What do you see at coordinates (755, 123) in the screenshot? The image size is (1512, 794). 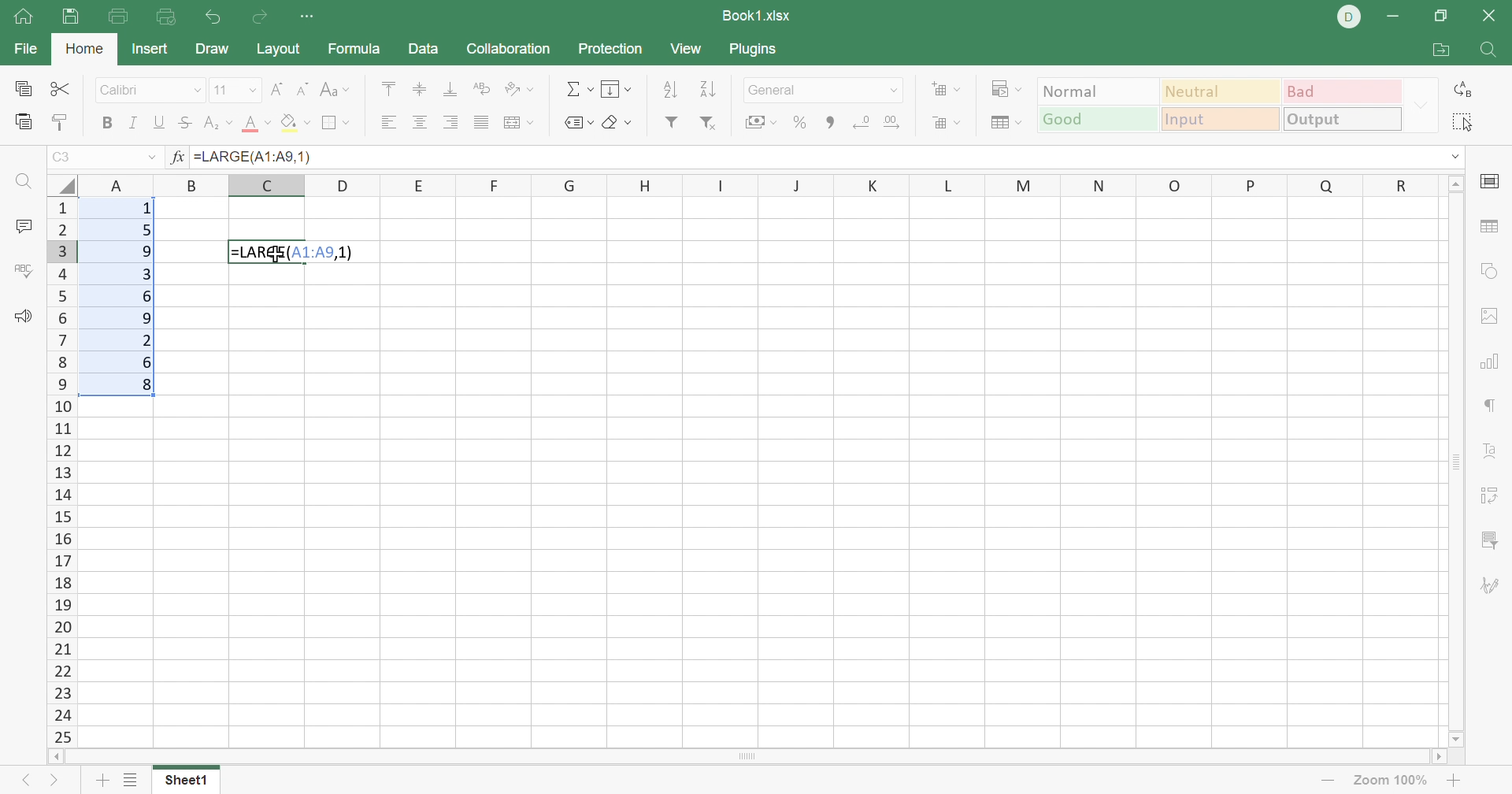 I see `Accounting style` at bounding box center [755, 123].